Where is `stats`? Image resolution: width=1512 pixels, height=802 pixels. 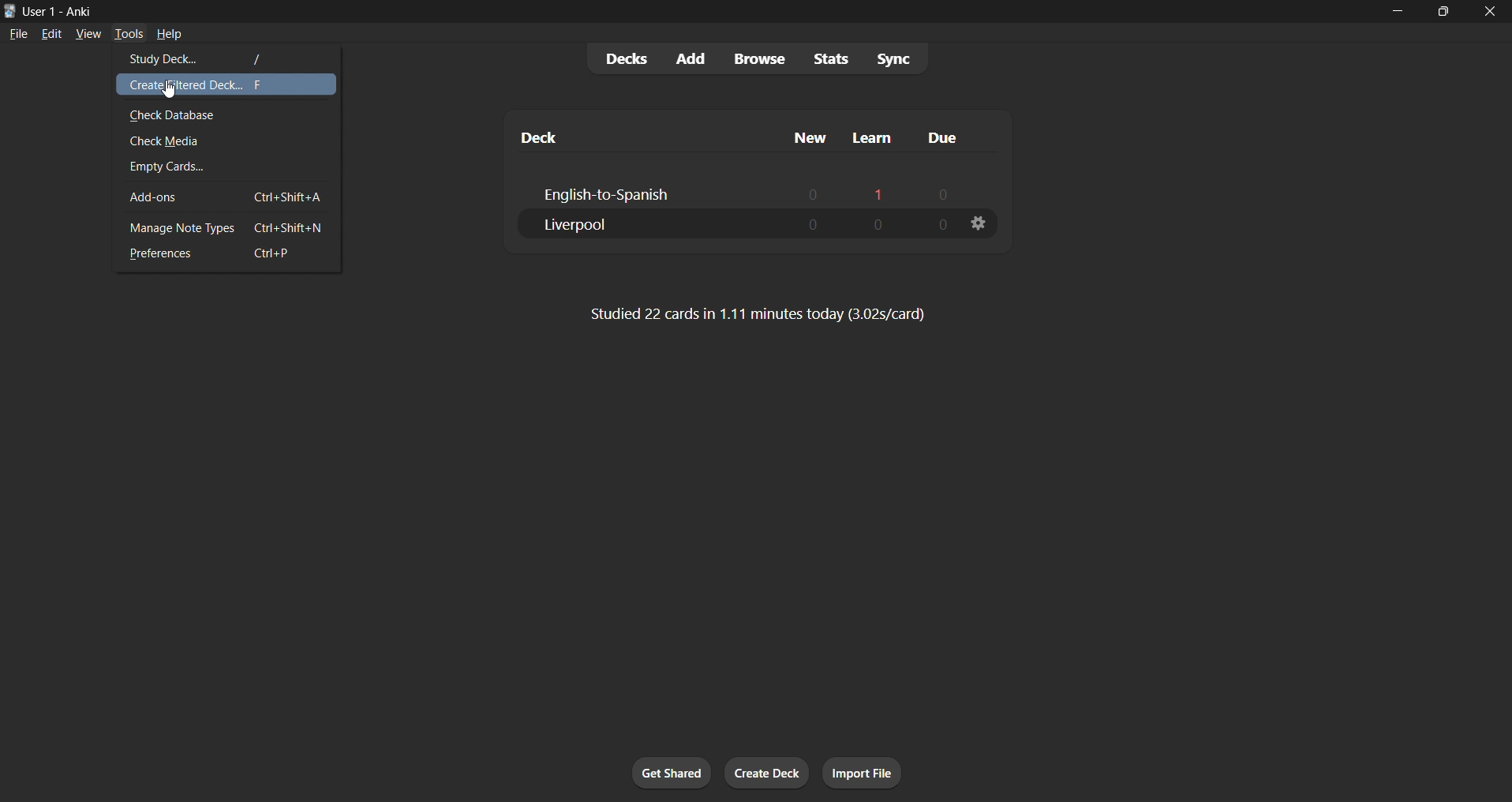
stats is located at coordinates (823, 58).